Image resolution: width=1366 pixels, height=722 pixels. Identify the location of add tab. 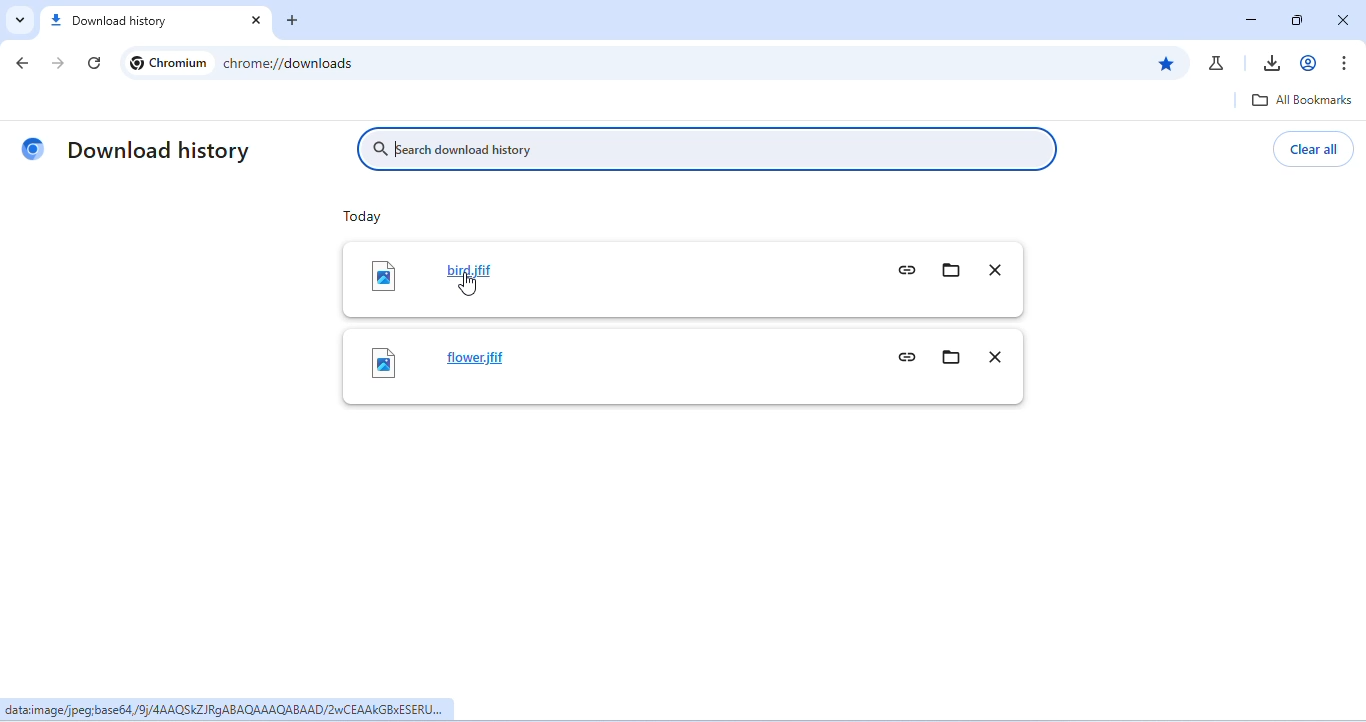
(296, 20).